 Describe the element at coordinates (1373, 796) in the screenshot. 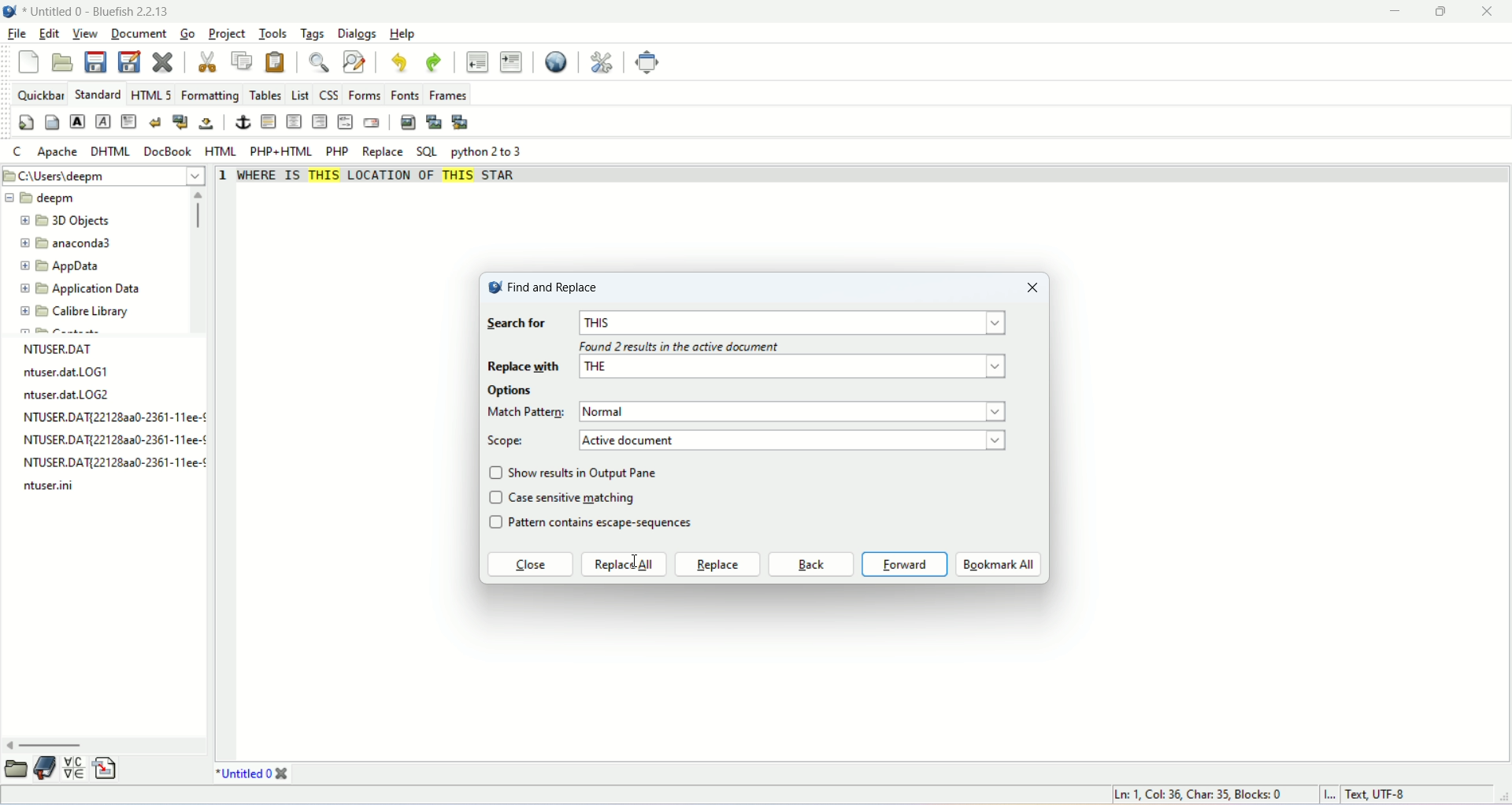

I see `Text UTF-8` at that location.